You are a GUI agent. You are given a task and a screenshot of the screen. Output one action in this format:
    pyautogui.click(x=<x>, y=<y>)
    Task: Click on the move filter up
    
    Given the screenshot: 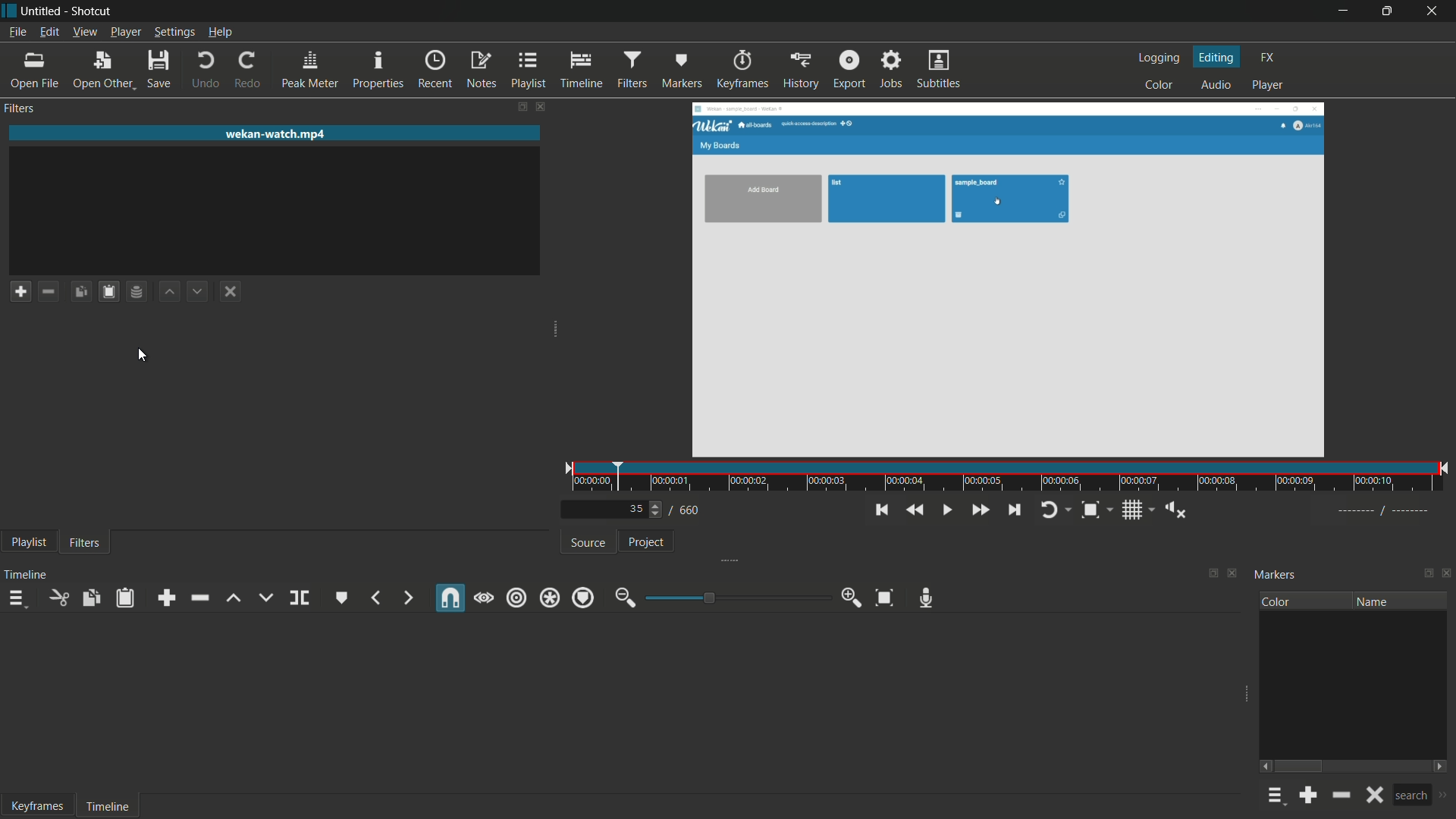 What is the action you would take?
    pyautogui.click(x=170, y=292)
    